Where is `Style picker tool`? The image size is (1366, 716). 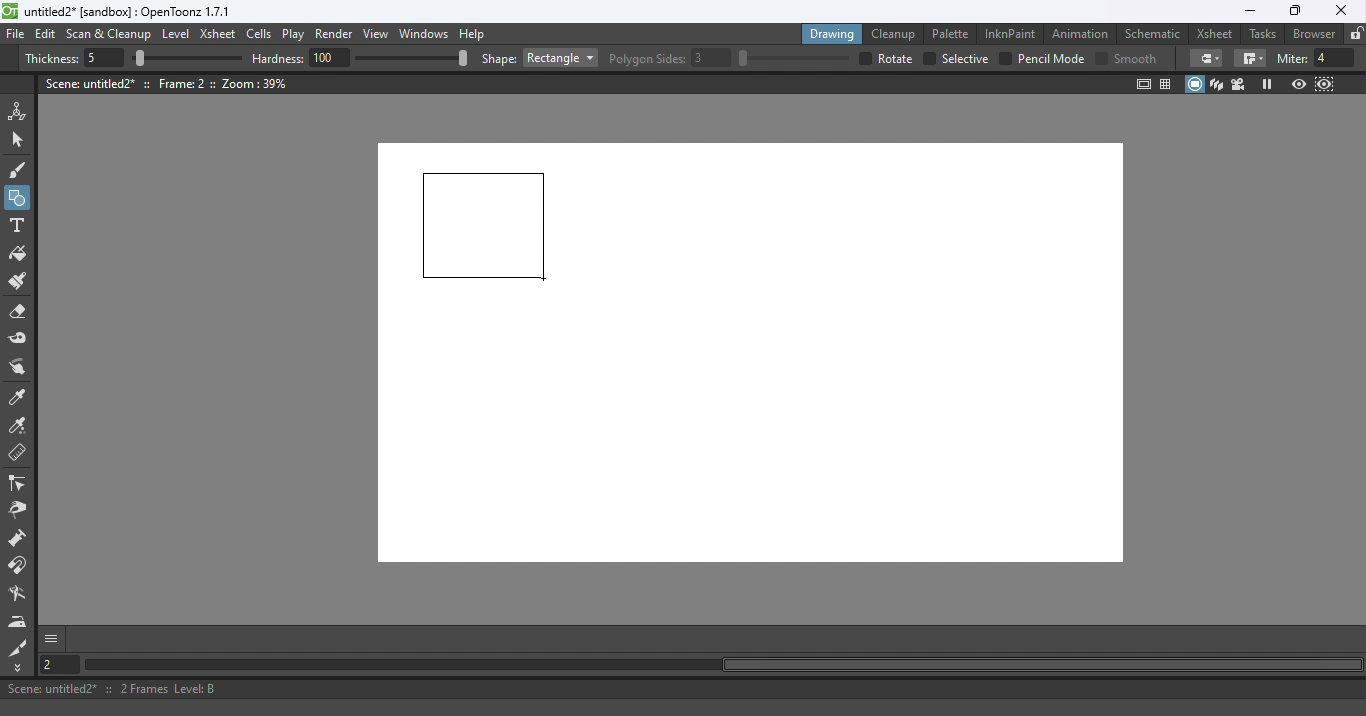
Style picker tool is located at coordinates (19, 398).